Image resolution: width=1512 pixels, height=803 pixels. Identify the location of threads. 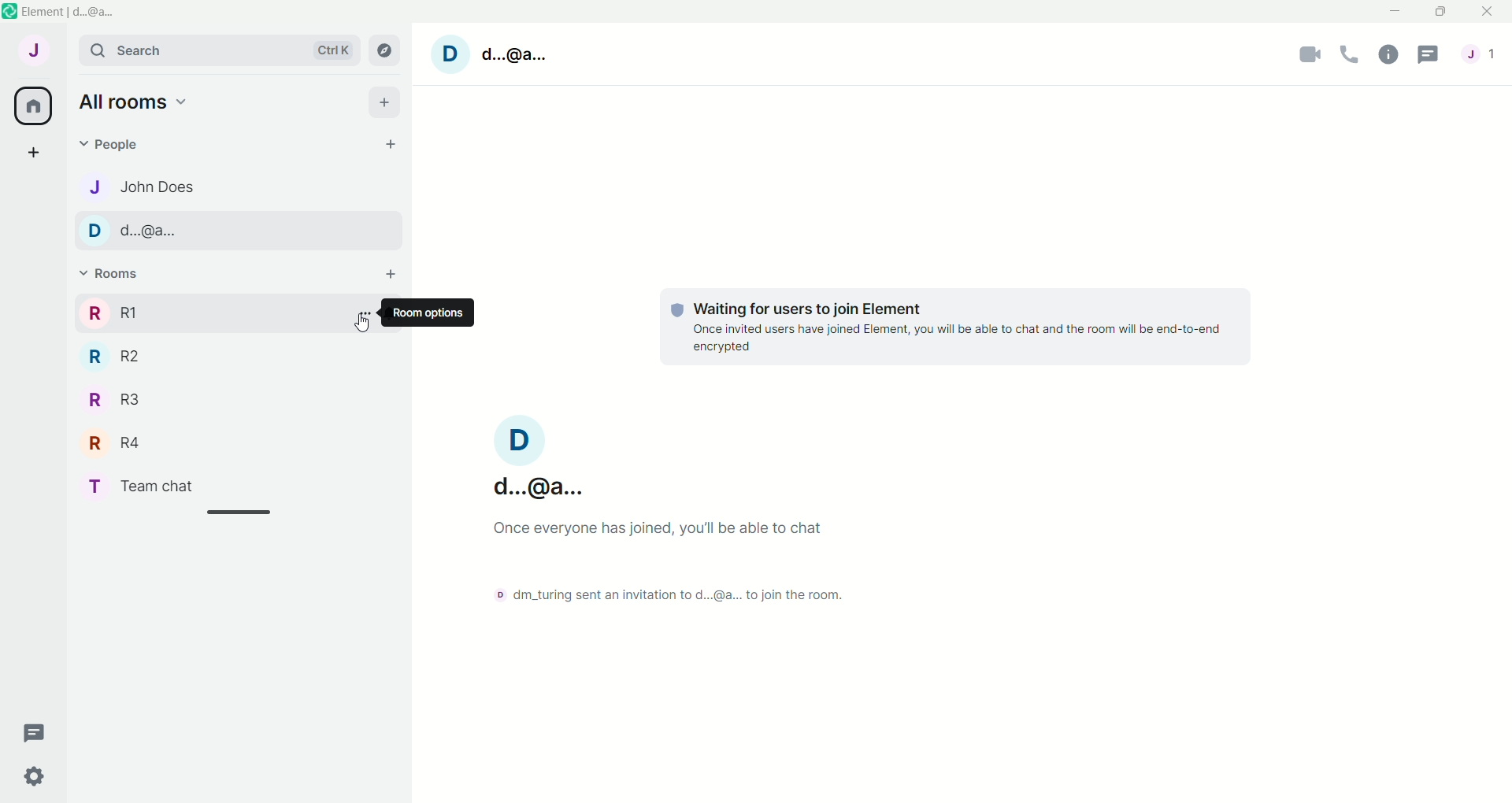
(1425, 56).